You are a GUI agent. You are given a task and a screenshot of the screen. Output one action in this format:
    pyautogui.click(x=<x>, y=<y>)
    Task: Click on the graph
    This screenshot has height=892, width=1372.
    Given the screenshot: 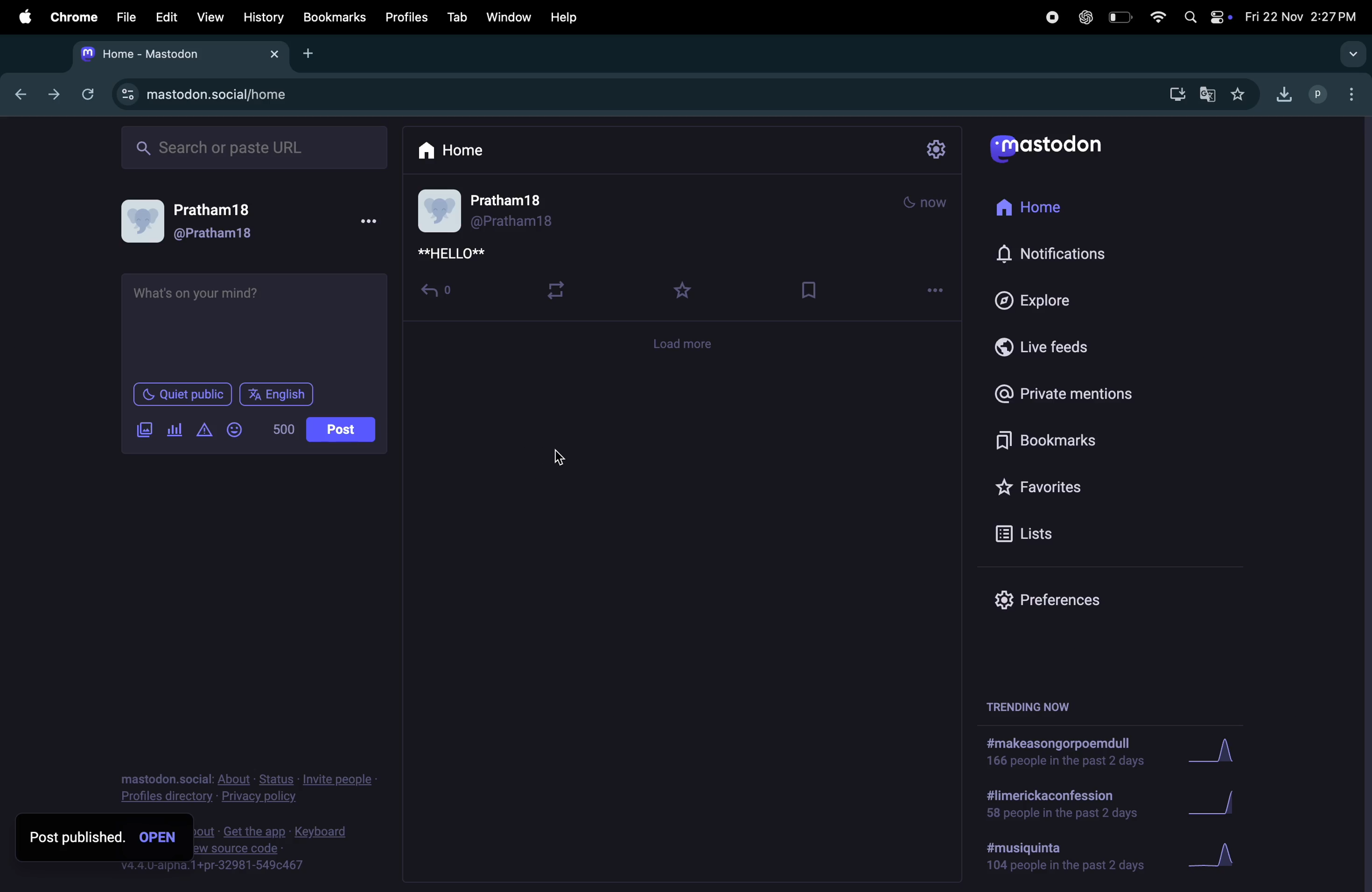 What is the action you would take?
    pyautogui.click(x=1220, y=856)
    